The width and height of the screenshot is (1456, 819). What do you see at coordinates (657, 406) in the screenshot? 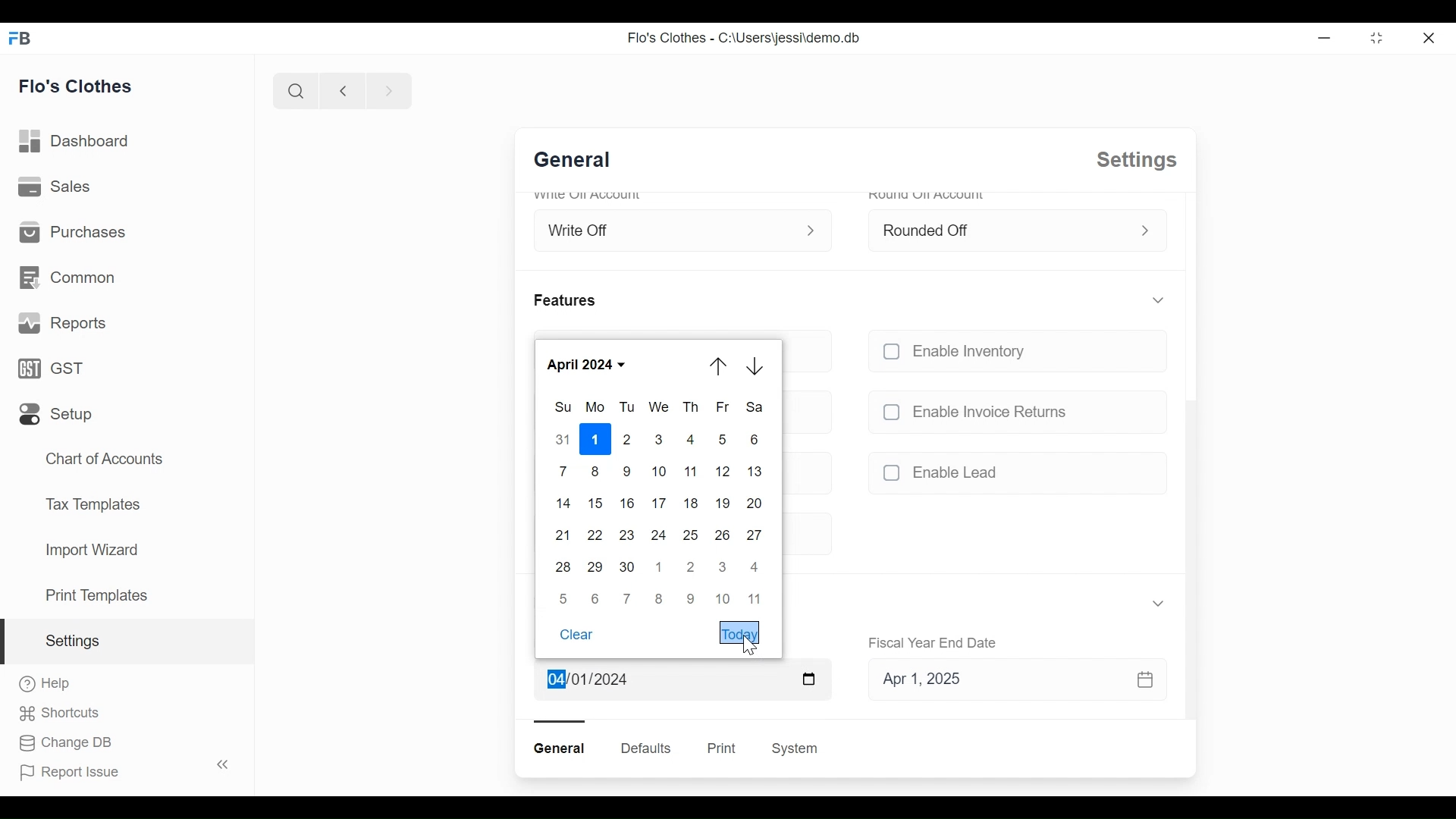
I see `We` at bounding box center [657, 406].